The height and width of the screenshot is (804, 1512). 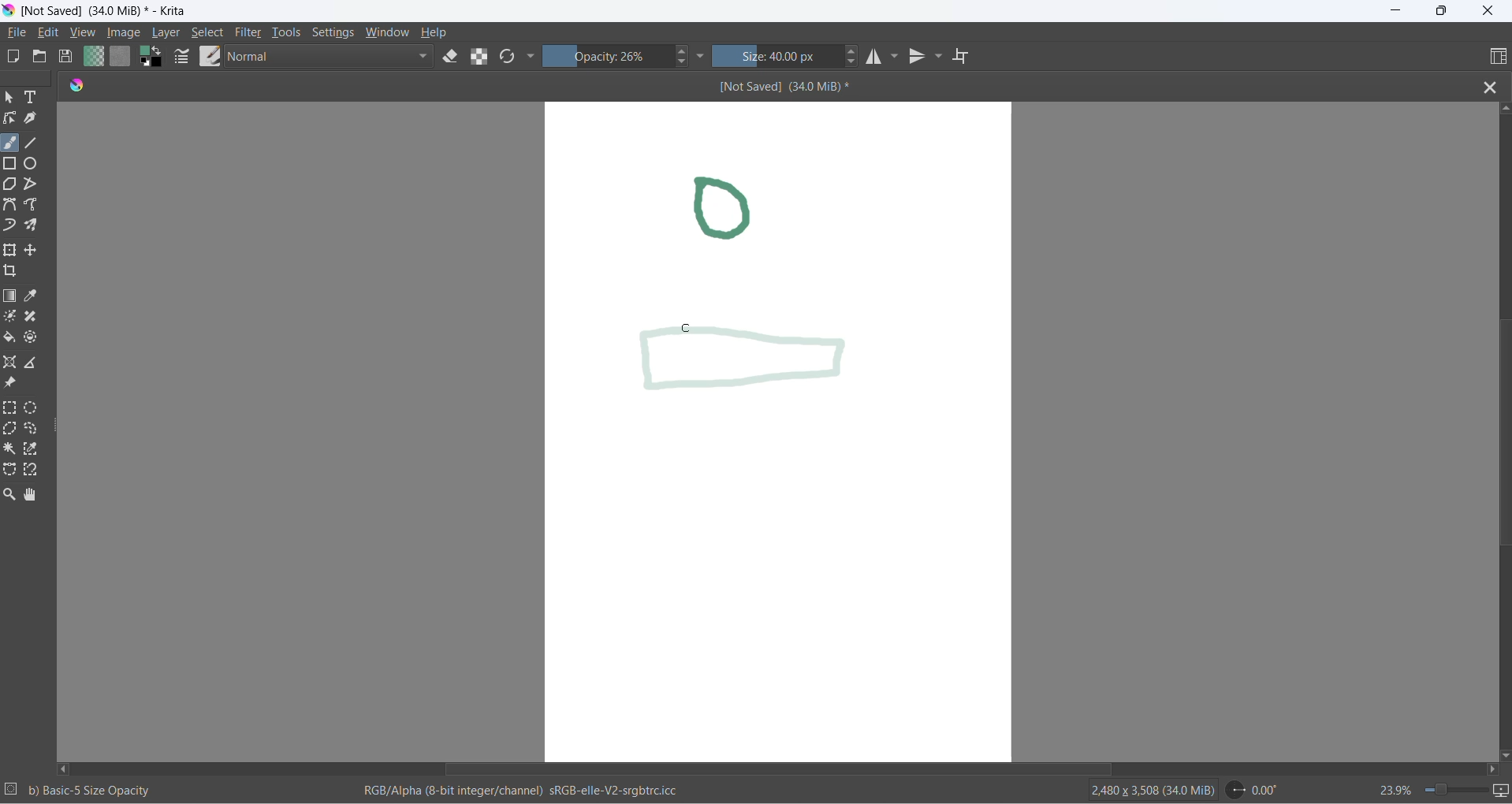 I want to click on 0.00, so click(x=1254, y=790).